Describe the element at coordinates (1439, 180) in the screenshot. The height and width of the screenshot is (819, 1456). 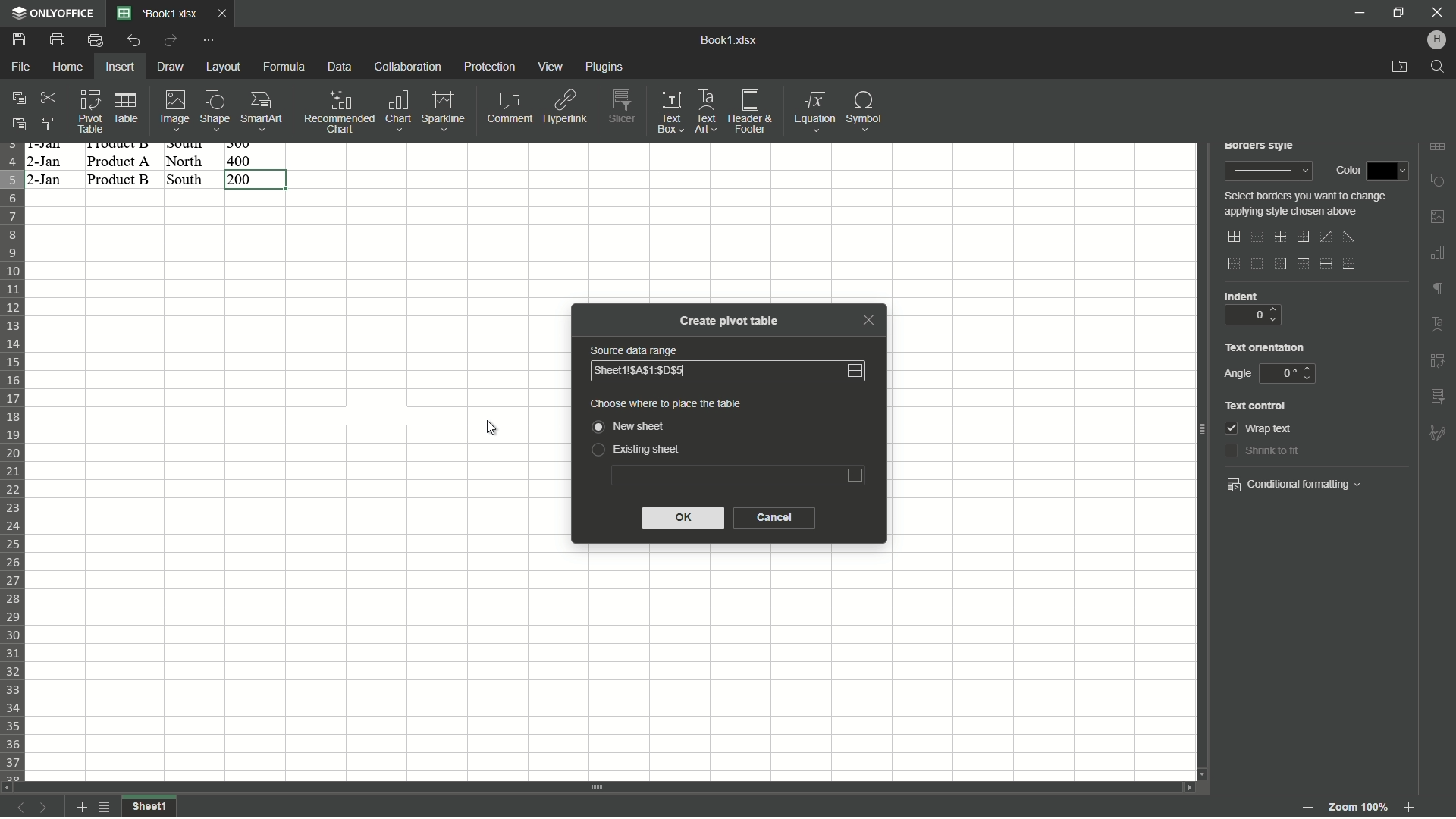
I see `insert shape` at that location.